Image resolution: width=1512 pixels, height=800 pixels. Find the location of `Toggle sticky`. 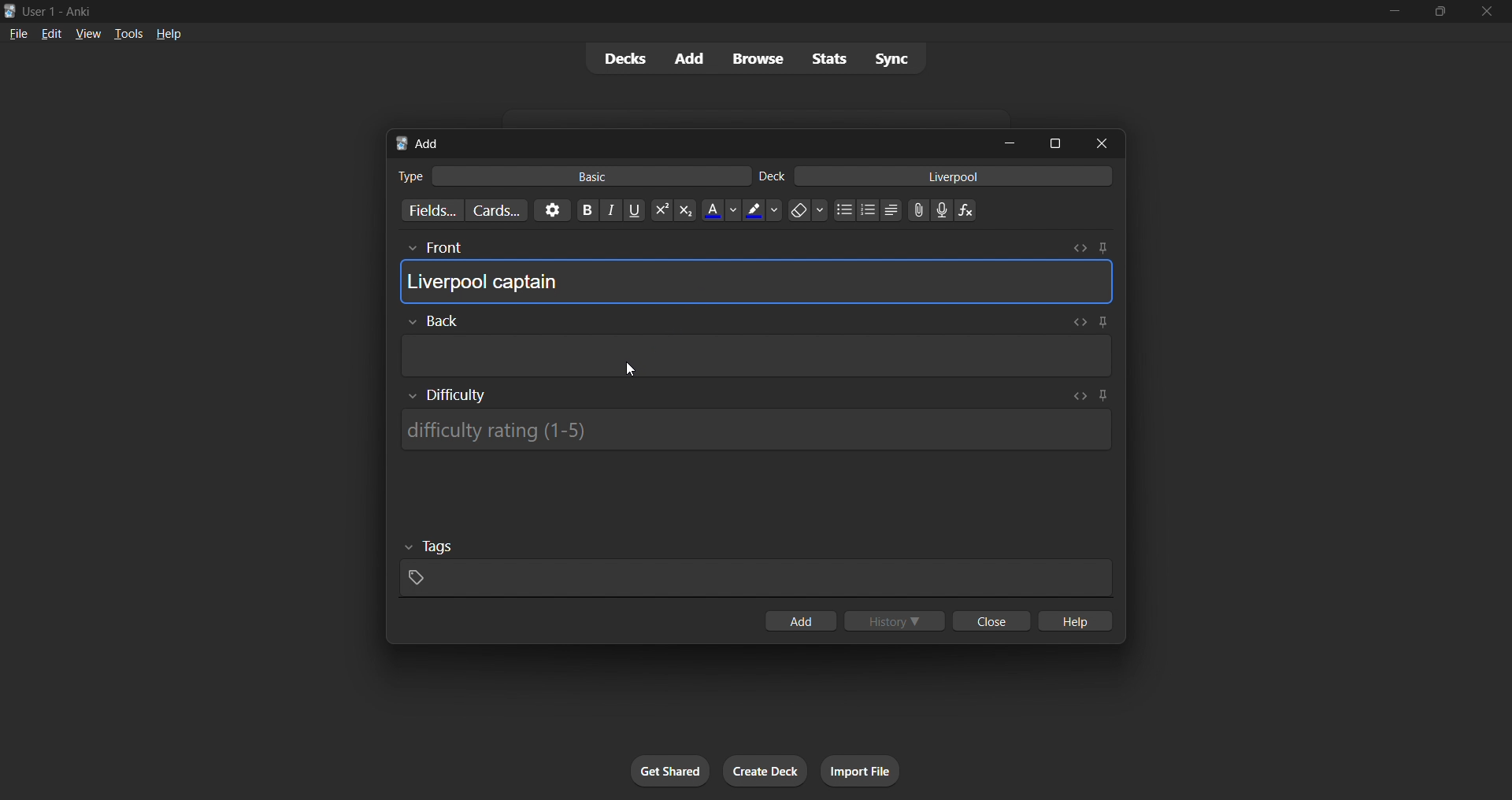

Toggle sticky is located at coordinates (1100, 324).